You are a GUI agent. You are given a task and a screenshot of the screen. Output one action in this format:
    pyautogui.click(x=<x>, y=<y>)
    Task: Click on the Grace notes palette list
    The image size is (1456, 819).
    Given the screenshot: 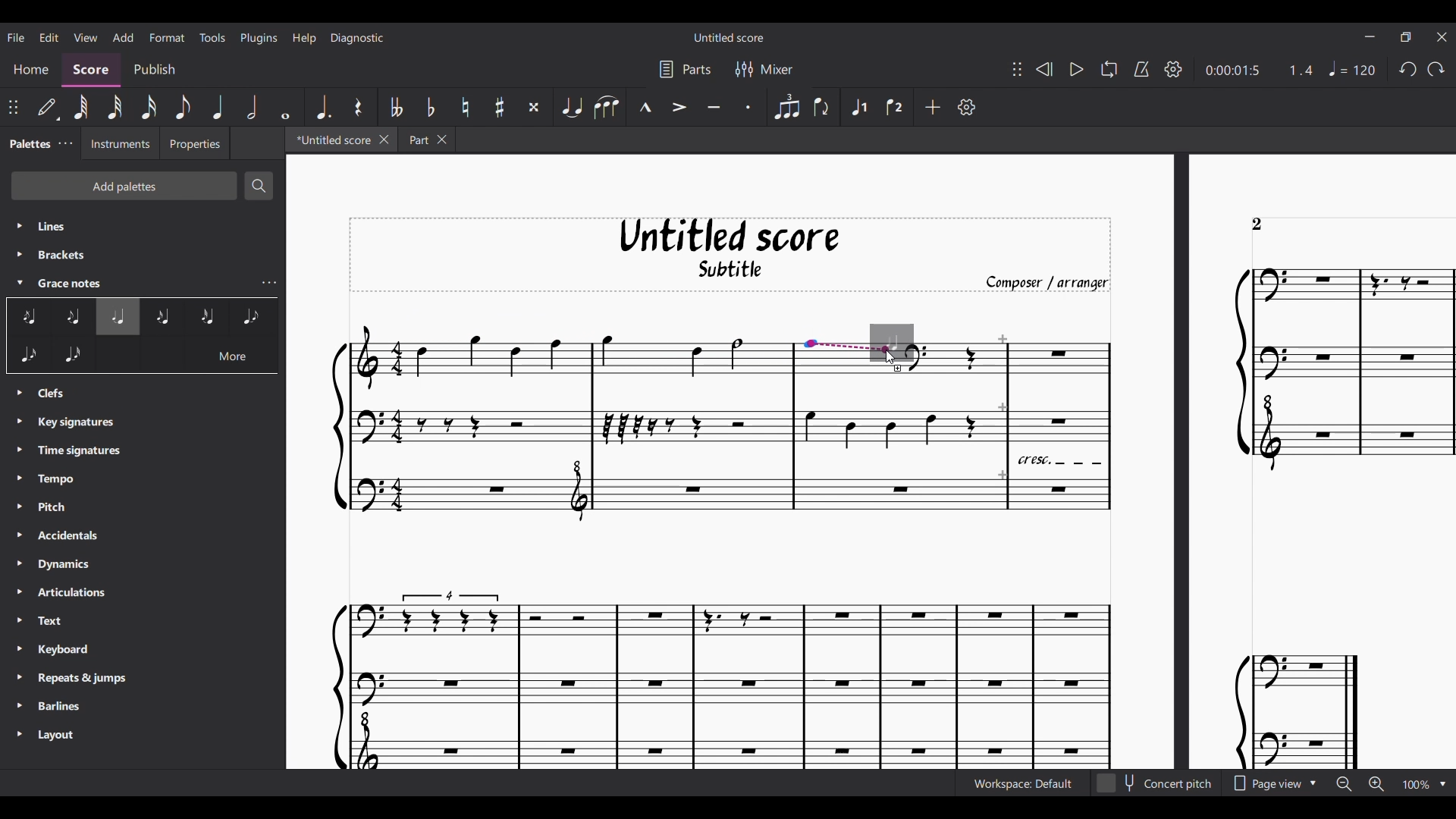 What is the action you would take?
    pyautogui.click(x=269, y=283)
    